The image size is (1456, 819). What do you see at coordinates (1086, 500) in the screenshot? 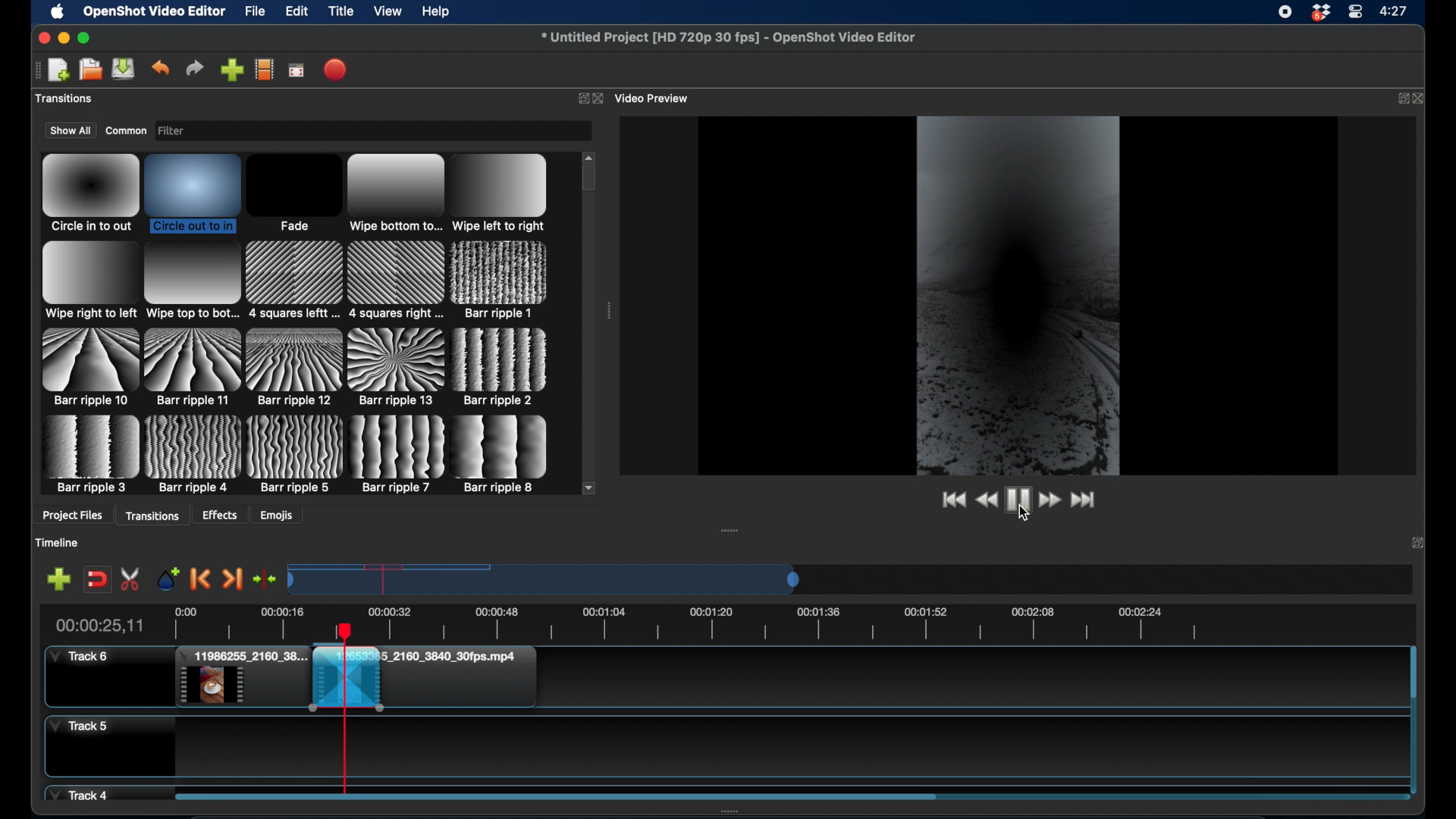
I see `jump to end` at bounding box center [1086, 500].